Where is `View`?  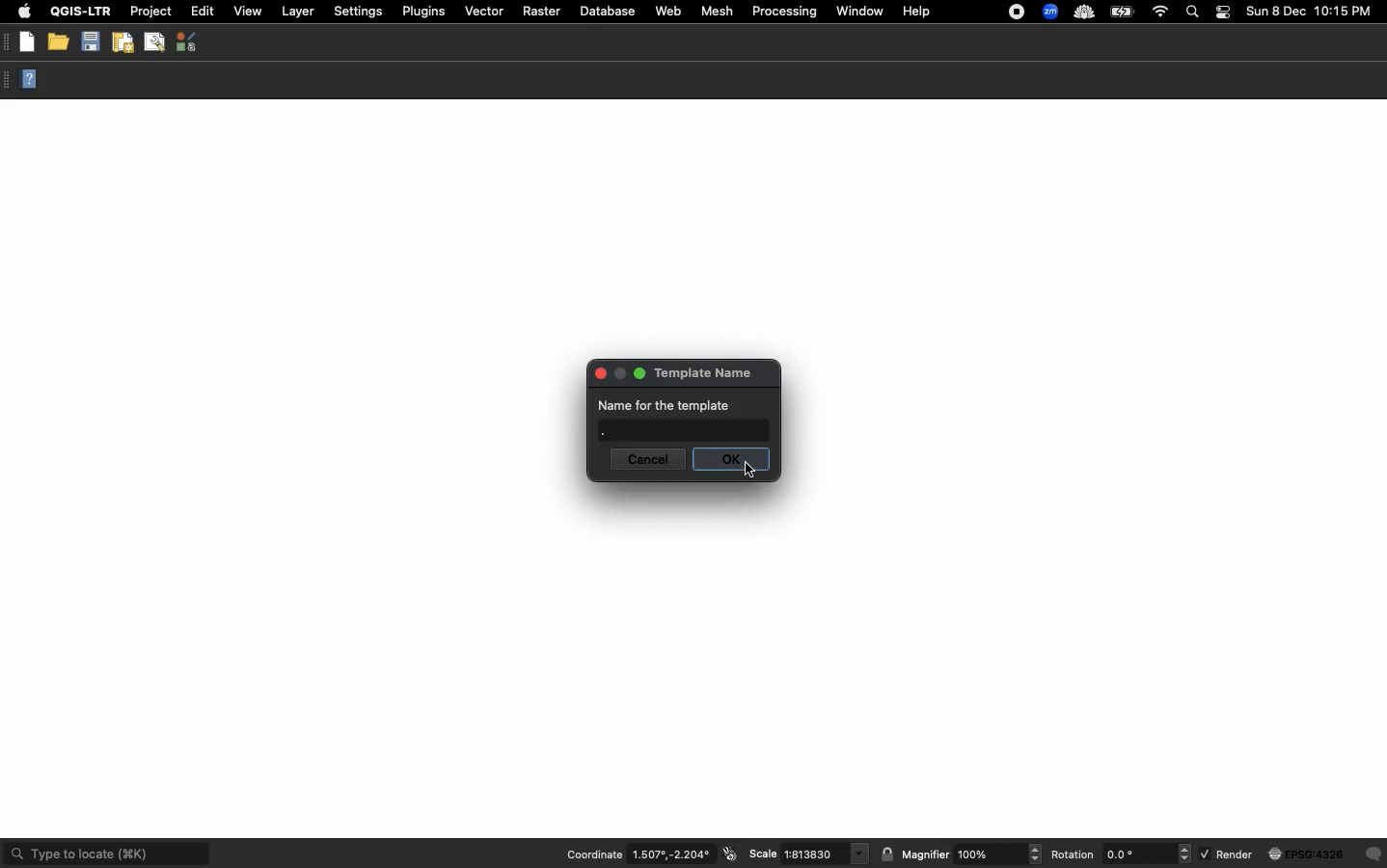
View is located at coordinates (247, 11).